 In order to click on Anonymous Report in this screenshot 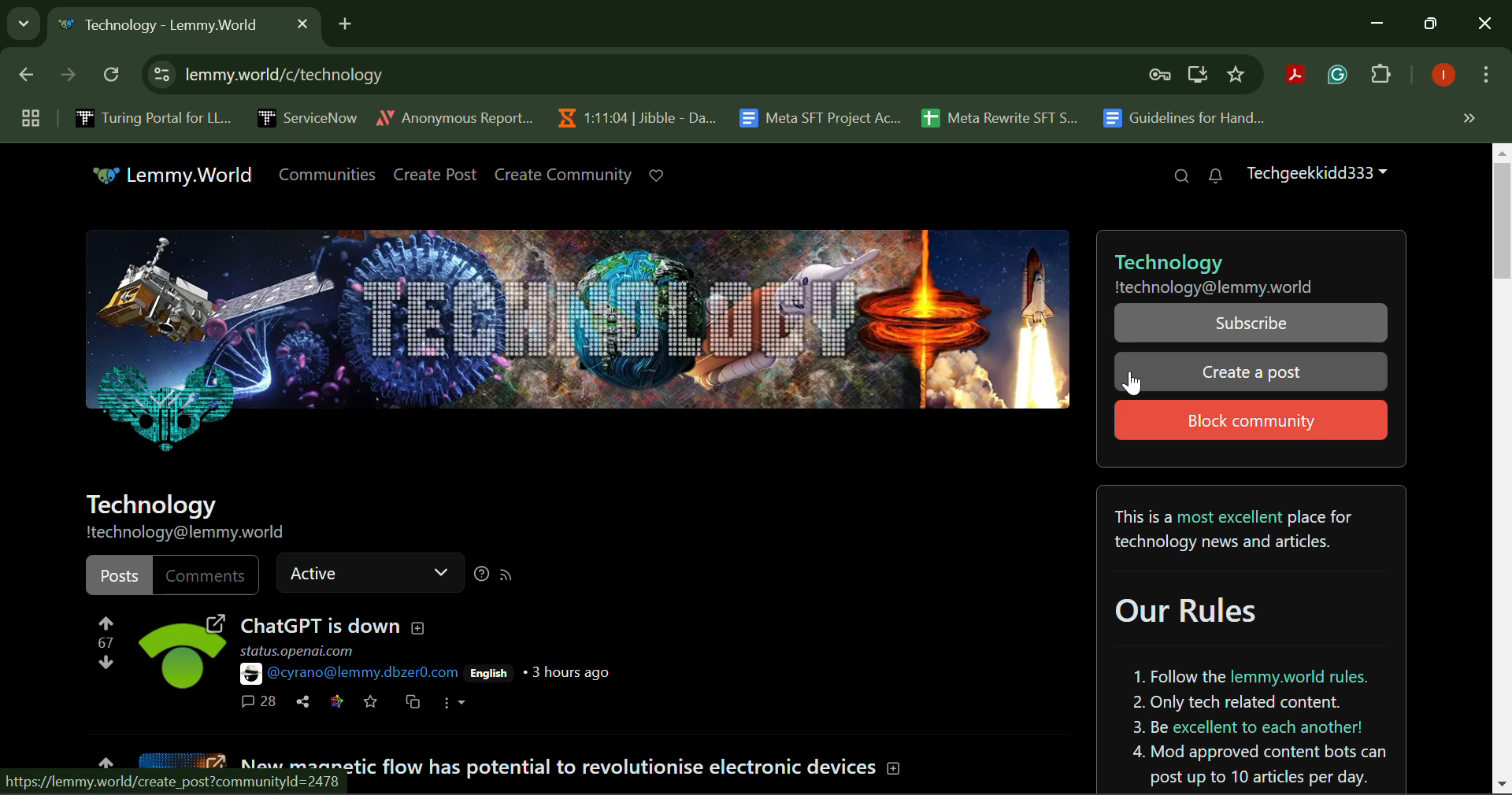, I will do `click(454, 115)`.